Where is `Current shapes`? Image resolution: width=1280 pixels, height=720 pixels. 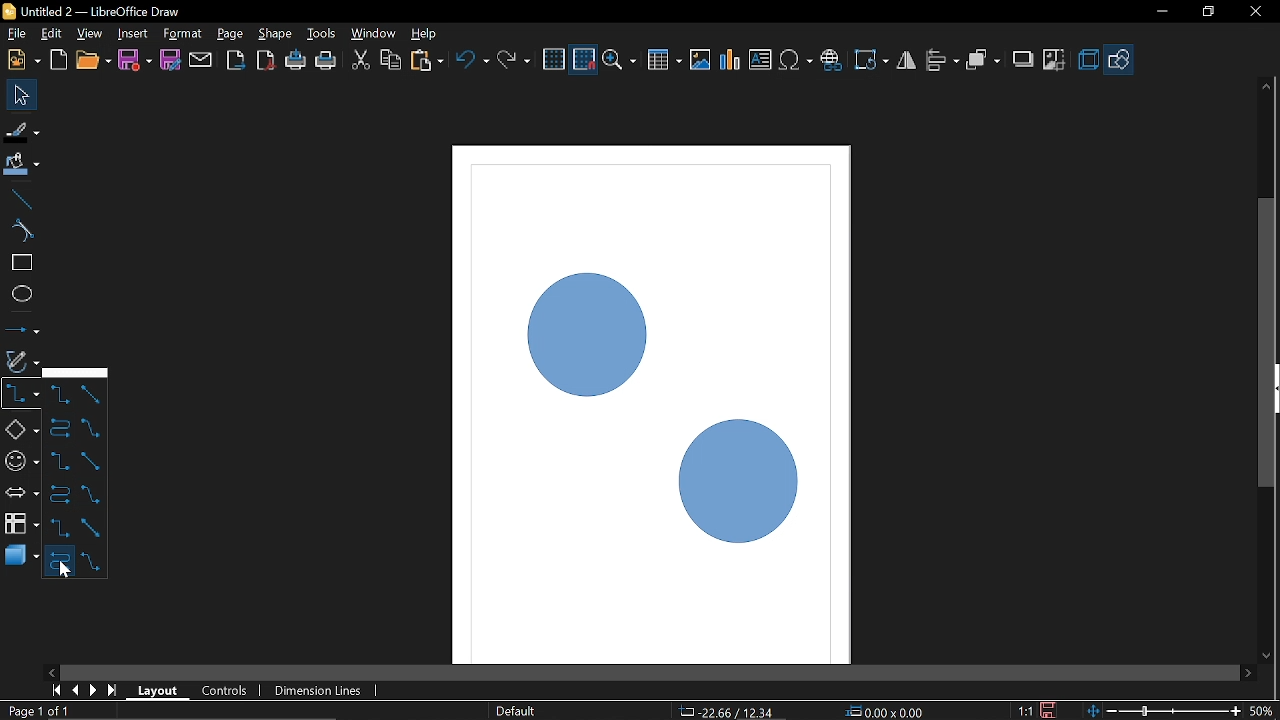
Current shapes is located at coordinates (654, 407).